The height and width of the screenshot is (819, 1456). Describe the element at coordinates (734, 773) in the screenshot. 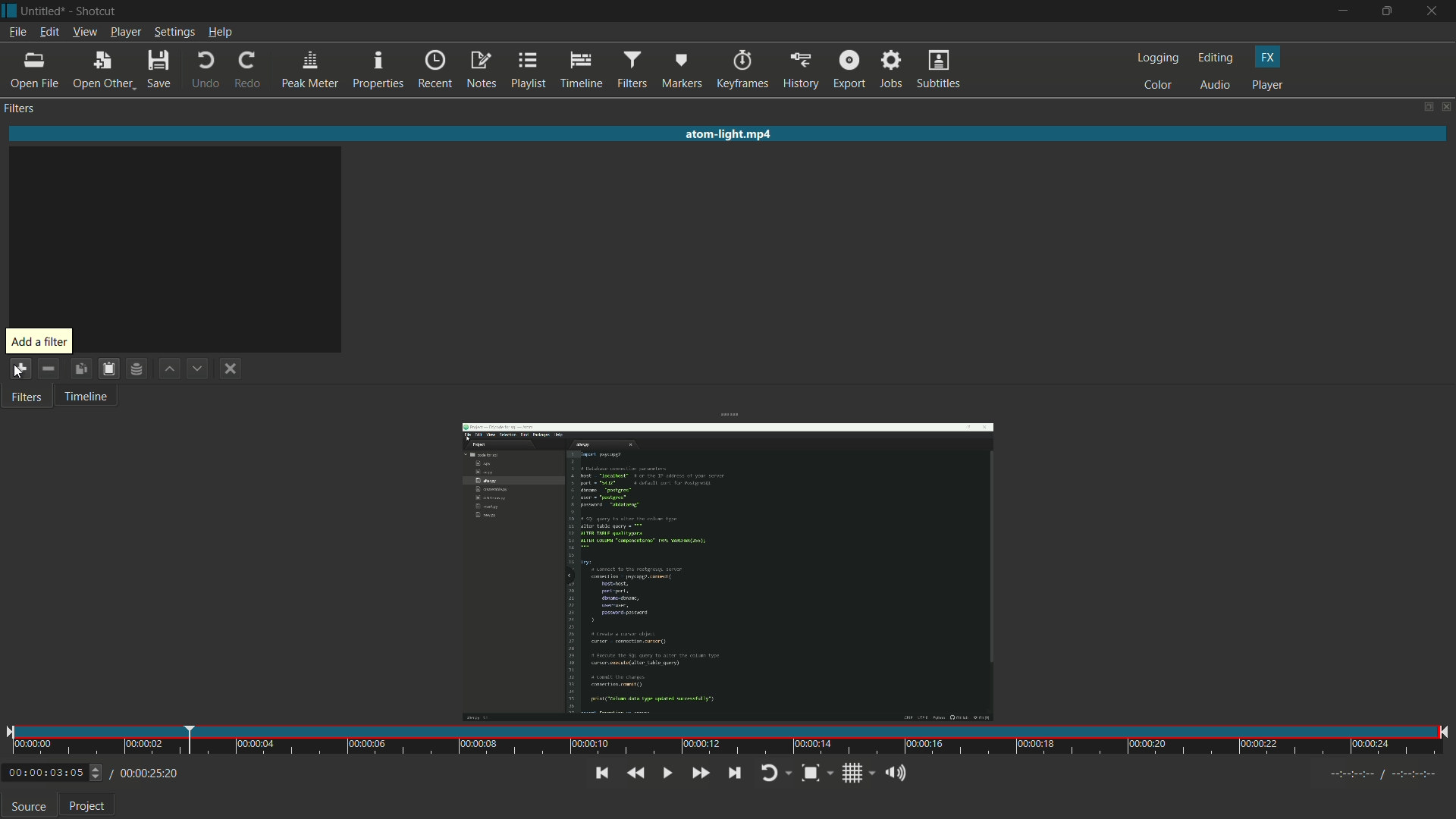

I see `skip to the next point` at that location.